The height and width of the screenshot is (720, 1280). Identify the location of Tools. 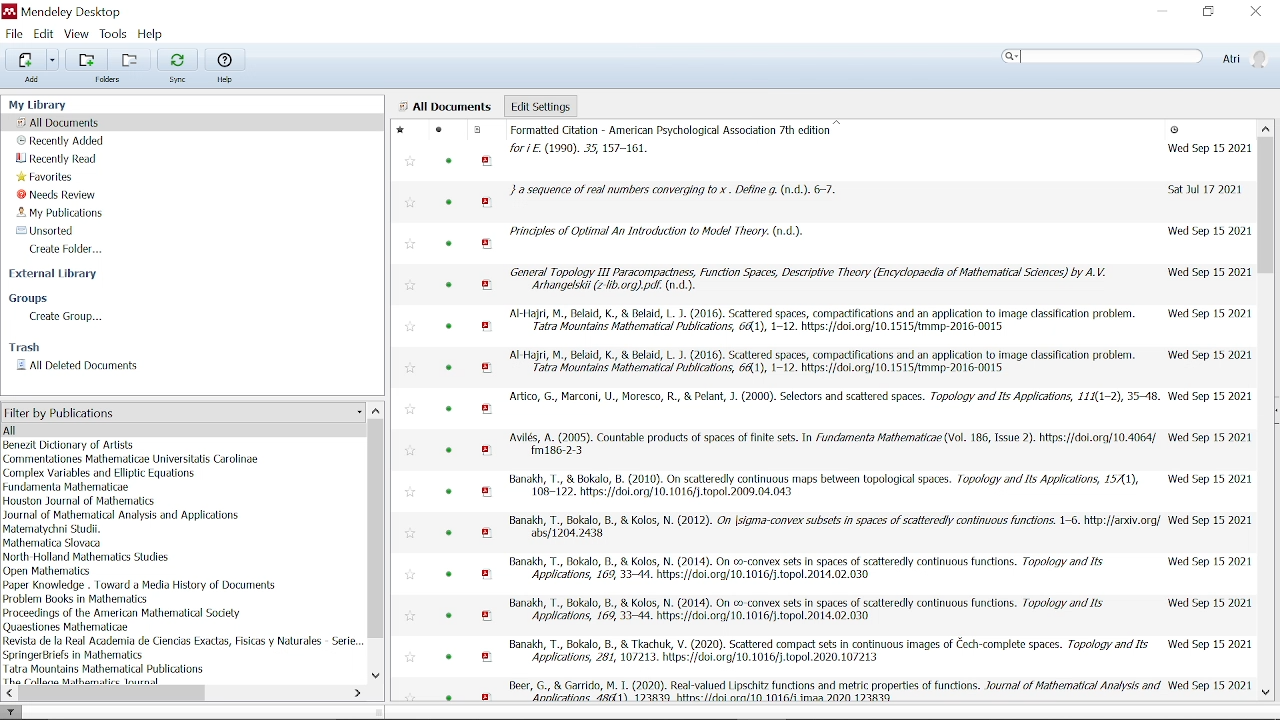
(113, 33).